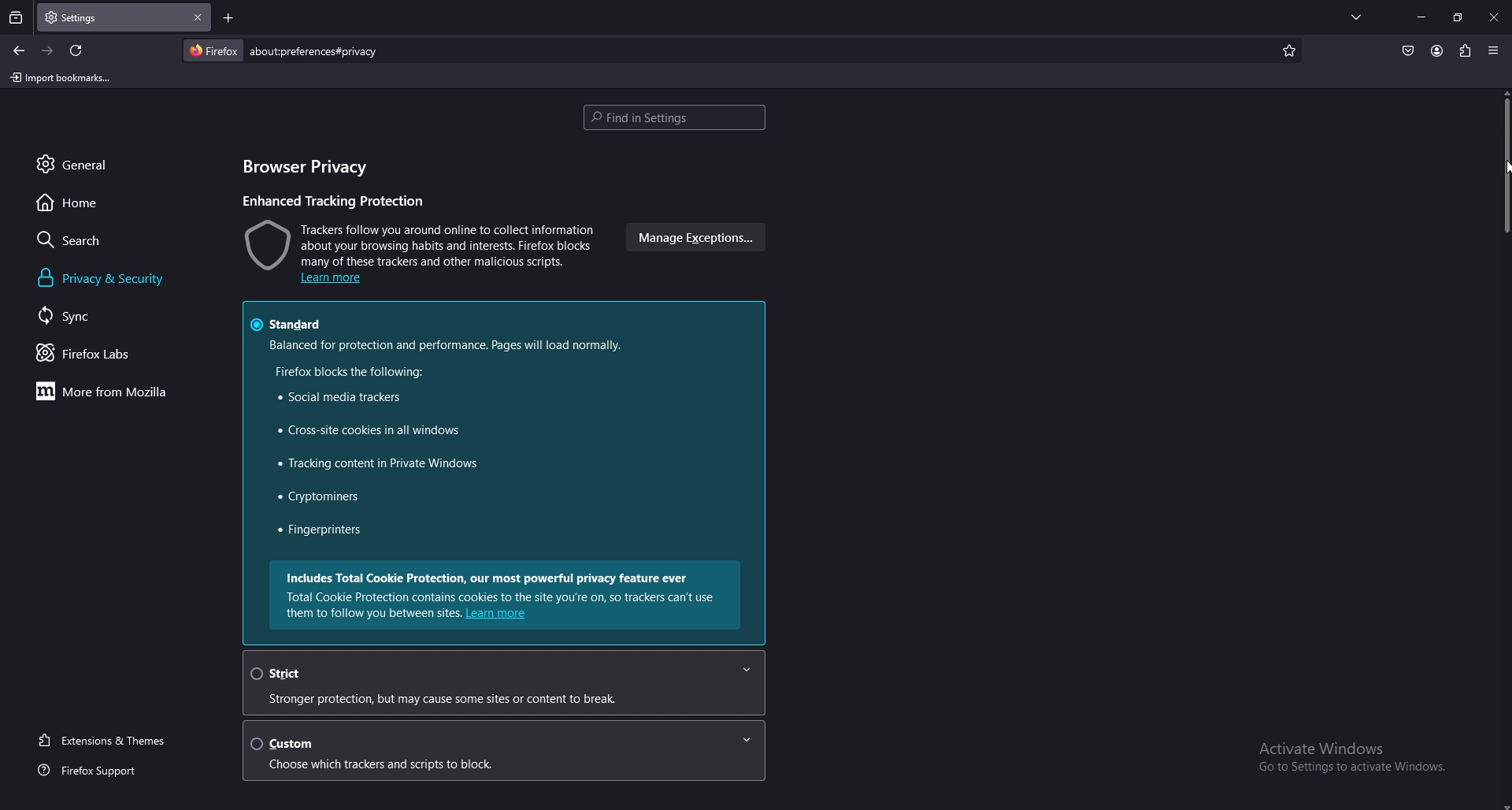 The width and height of the screenshot is (1512, 810). Describe the element at coordinates (105, 740) in the screenshot. I see `extension and themes` at that location.